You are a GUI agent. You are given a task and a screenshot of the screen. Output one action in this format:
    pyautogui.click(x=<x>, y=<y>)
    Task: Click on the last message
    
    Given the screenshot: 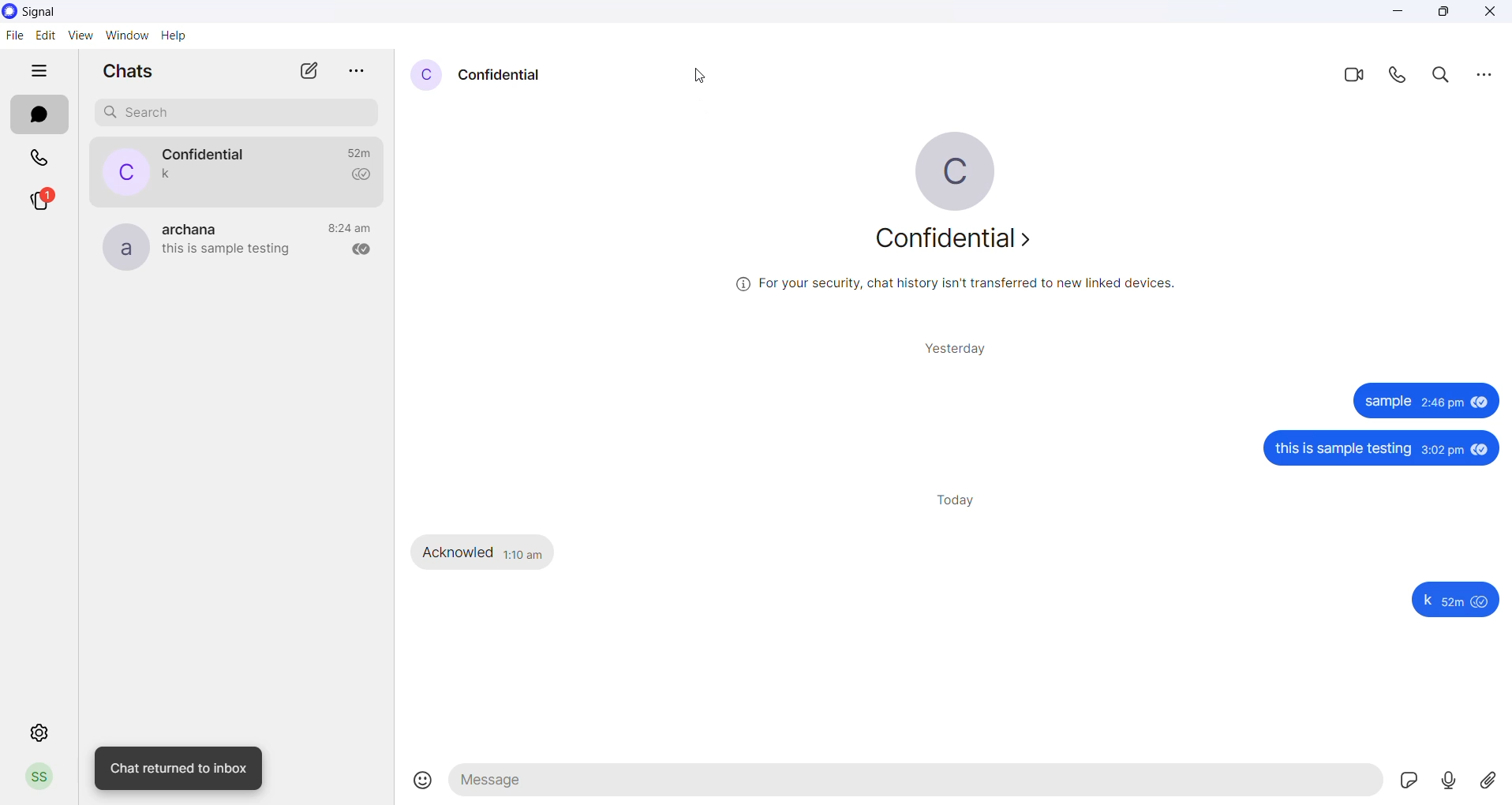 What is the action you would take?
    pyautogui.click(x=232, y=252)
    